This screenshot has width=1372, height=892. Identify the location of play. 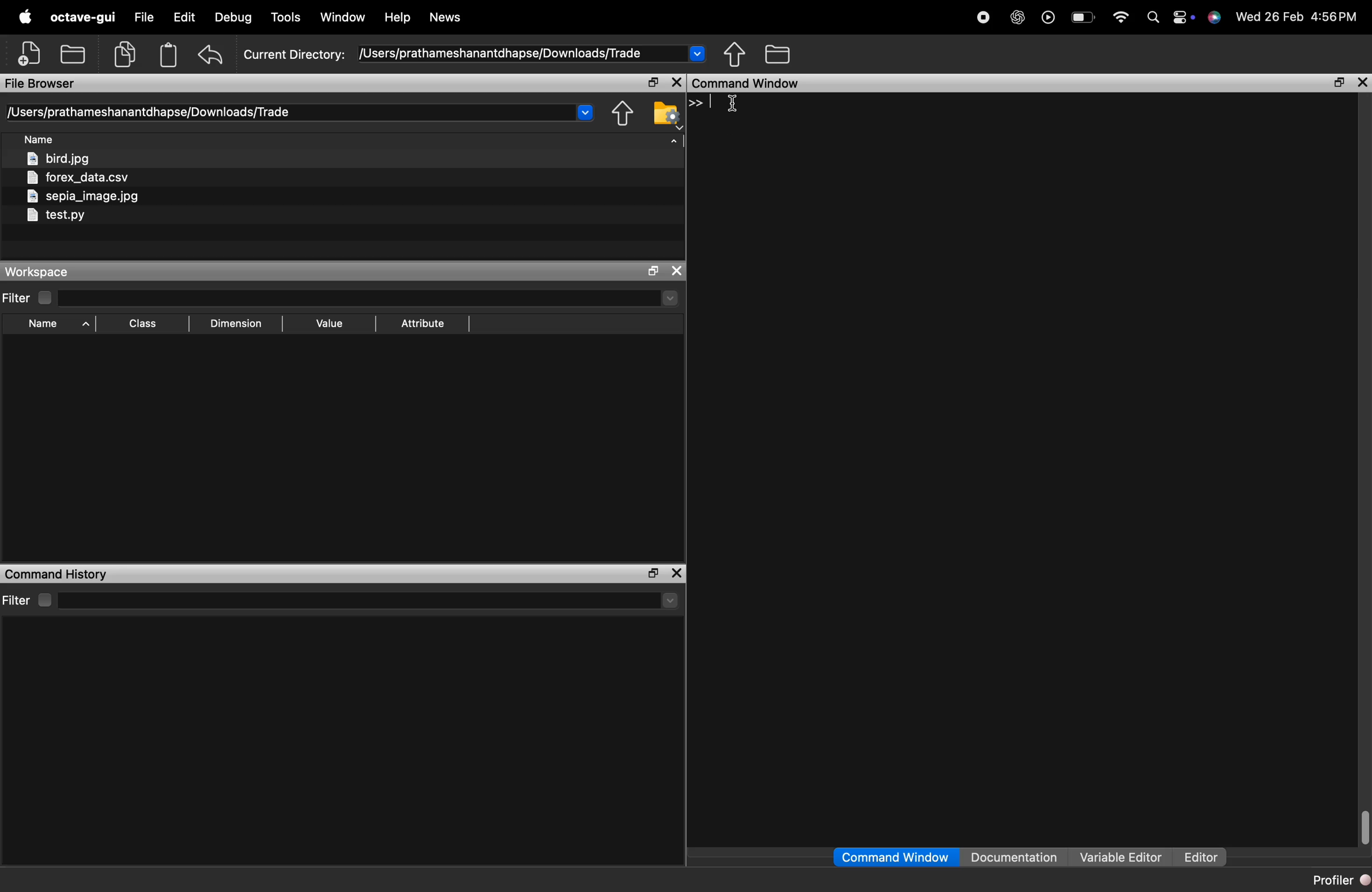
(1049, 18).